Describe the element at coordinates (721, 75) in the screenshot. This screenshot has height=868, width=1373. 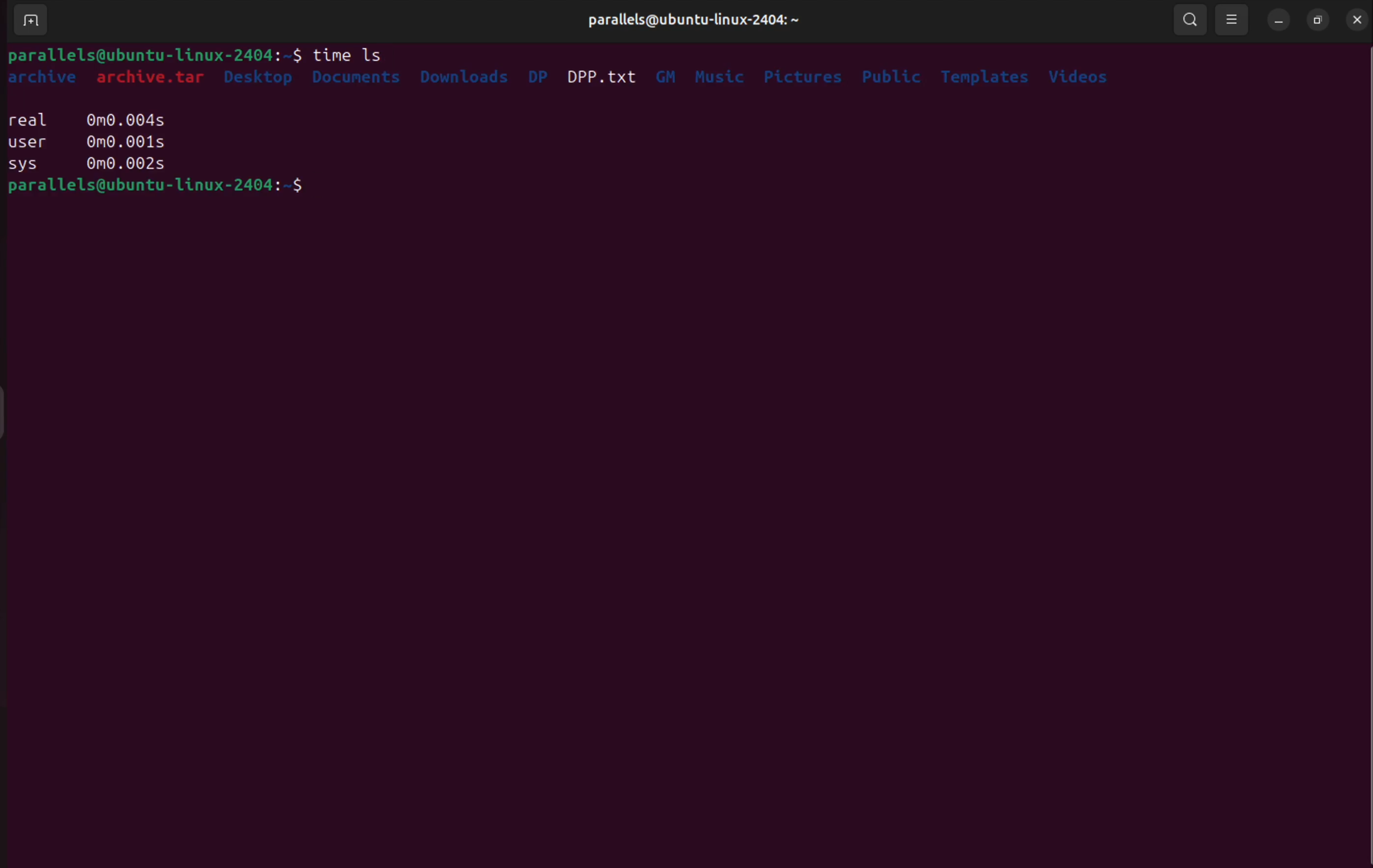
I see `Music` at that location.